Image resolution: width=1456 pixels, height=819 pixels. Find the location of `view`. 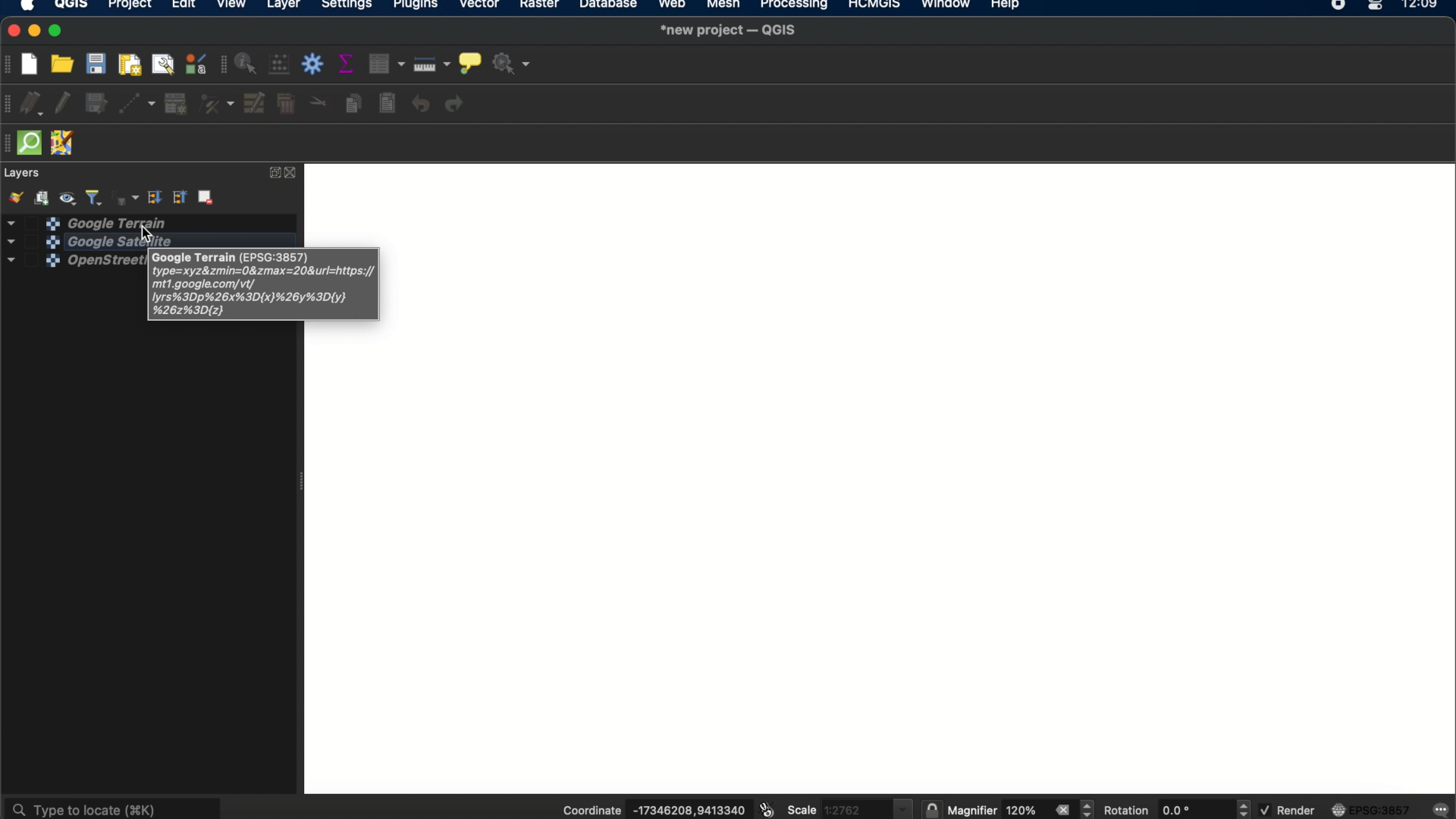

view is located at coordinates (233, 6).